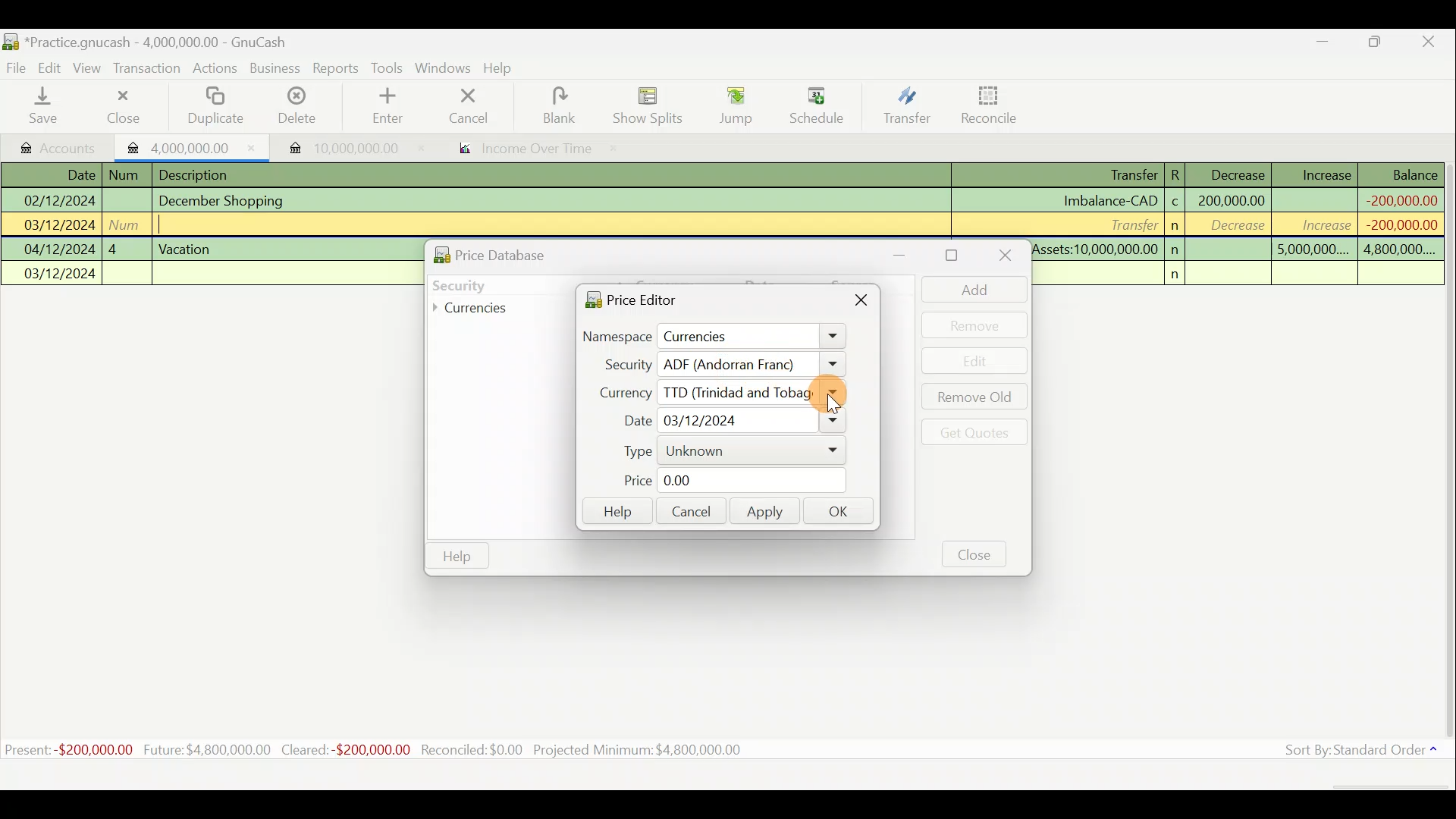  What do you see at coordinates (967, 289) in the screenshot?
I see `Add` at bounding box center [967, 289].